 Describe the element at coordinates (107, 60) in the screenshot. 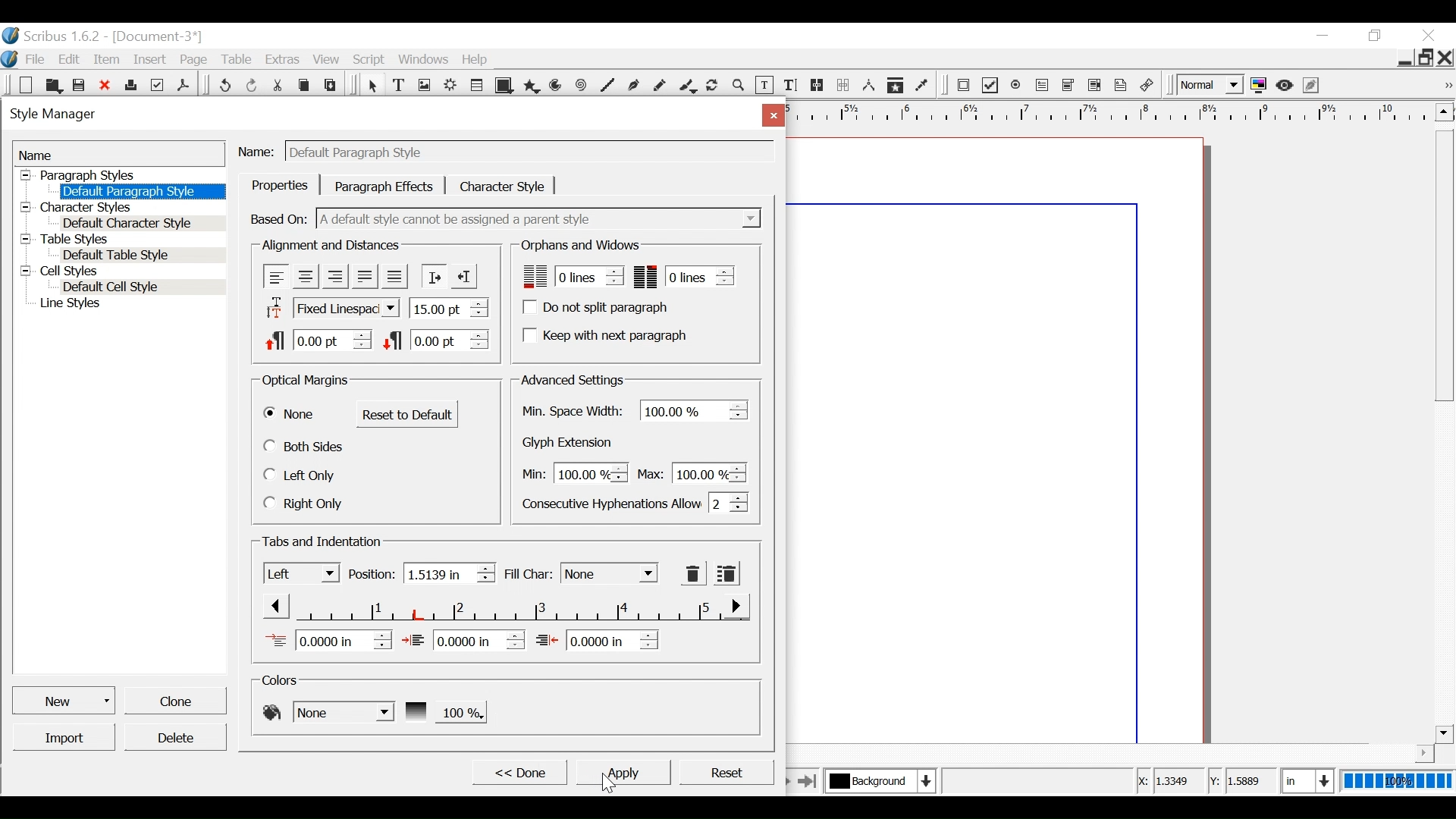

I see `Item` at that location.